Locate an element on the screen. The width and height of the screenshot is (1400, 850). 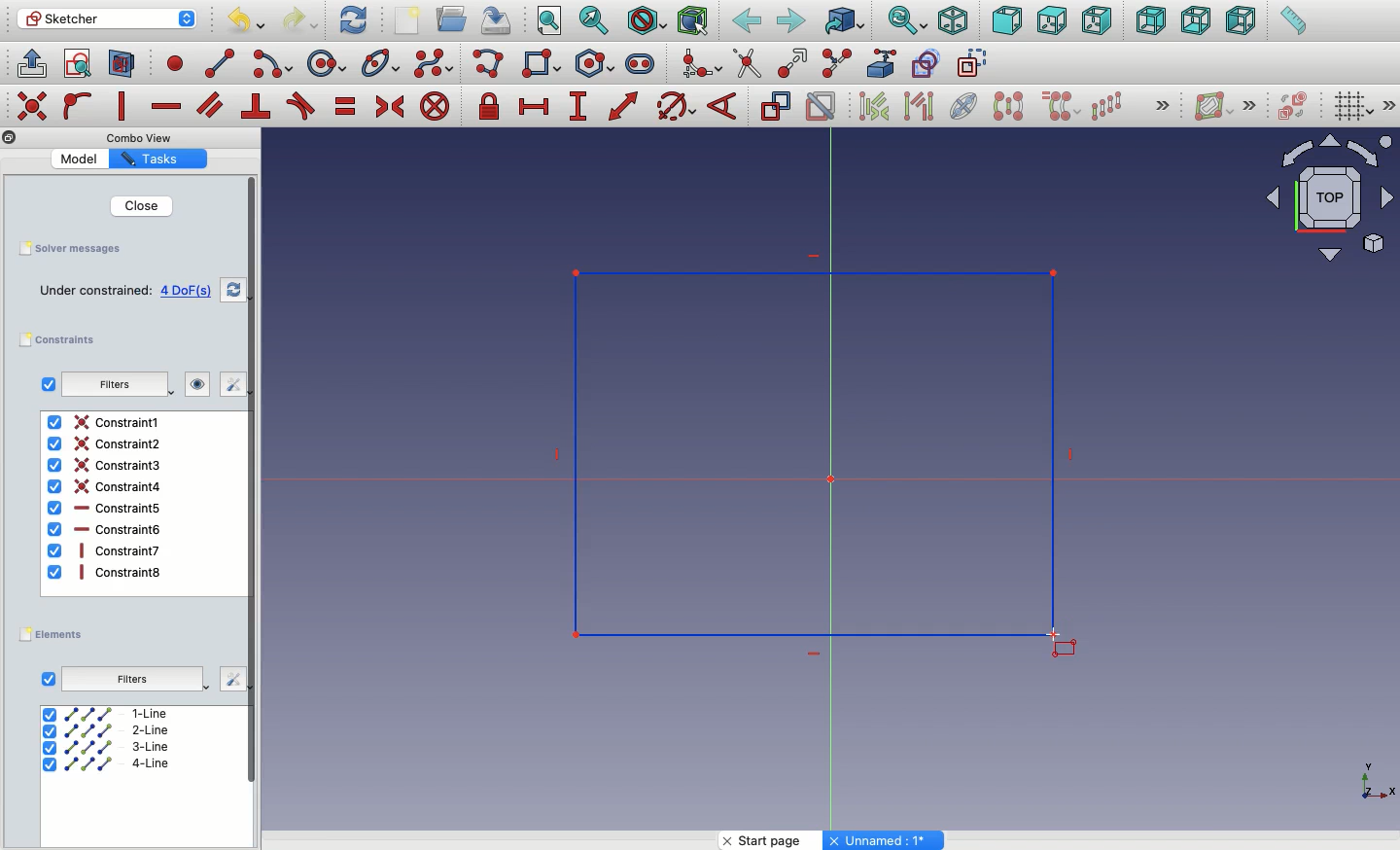
2-line is located at coordinates (110, 731).